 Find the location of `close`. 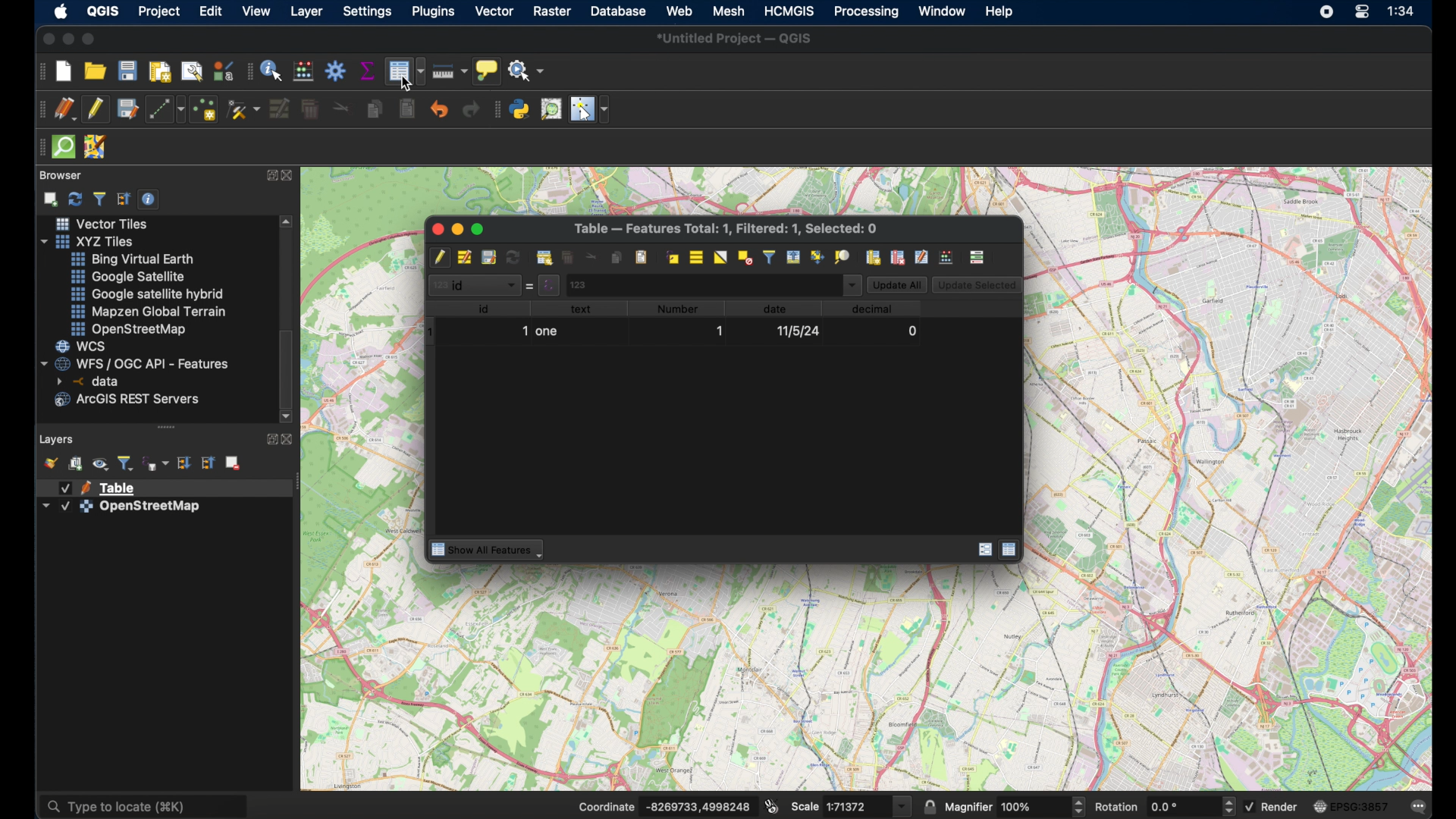

close is located at coordinates (290, 174).